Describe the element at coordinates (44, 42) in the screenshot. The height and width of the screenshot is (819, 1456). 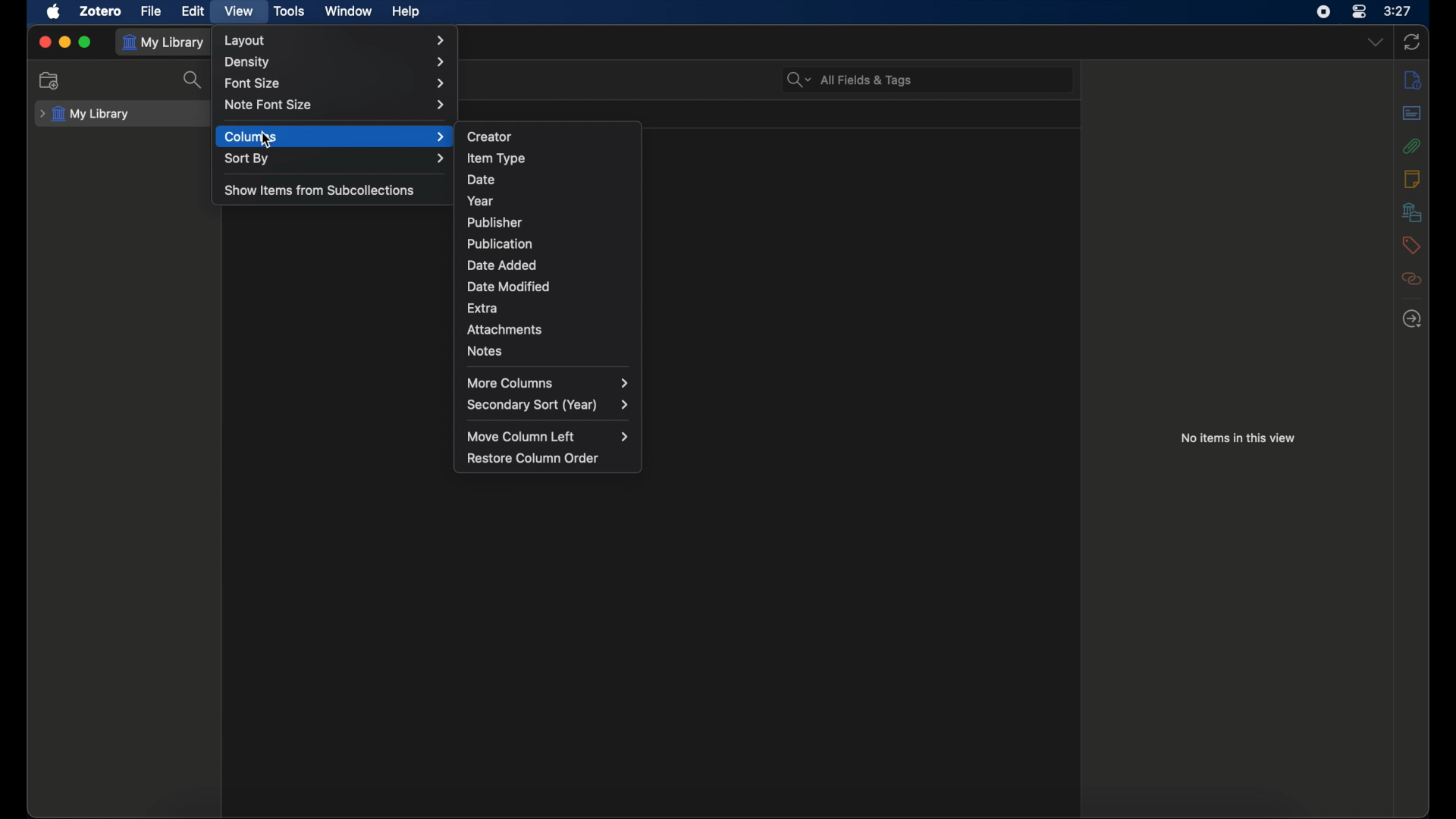
I see `close` at that location.